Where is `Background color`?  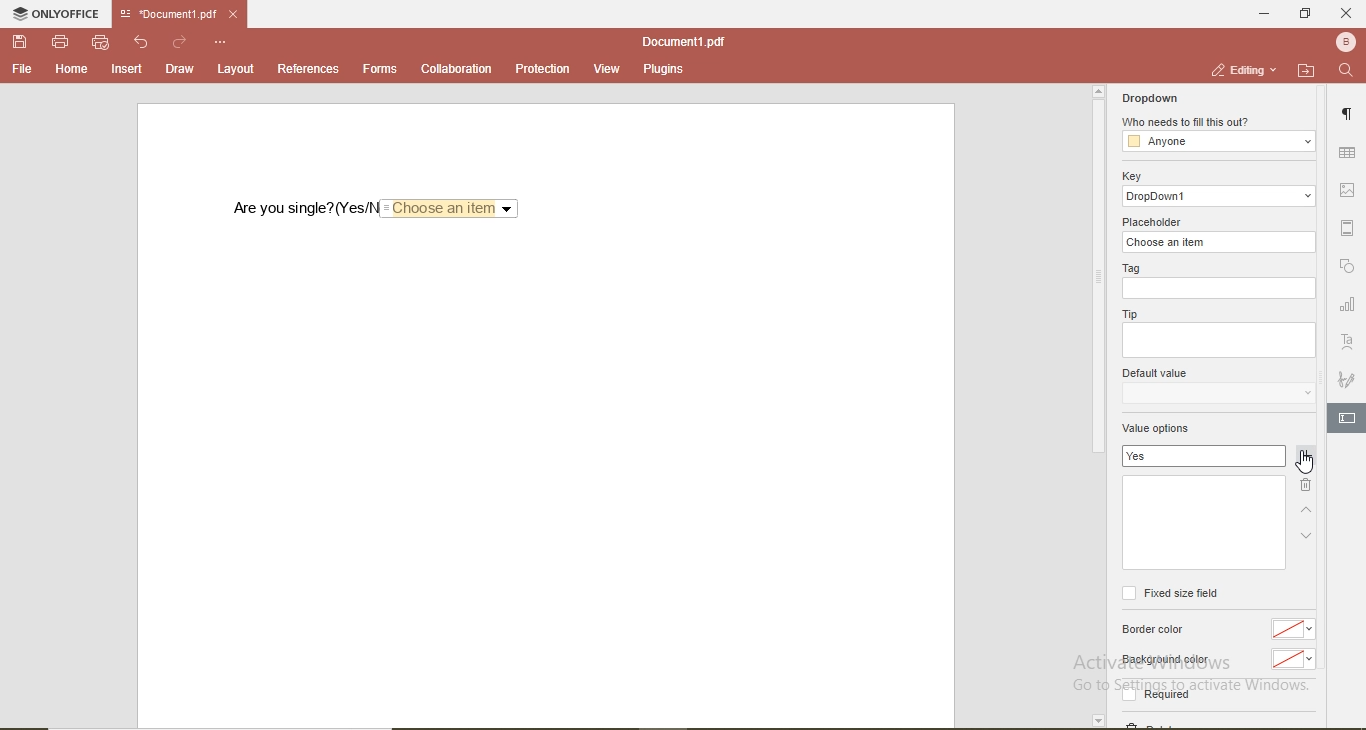 Background color is located at coordinates (1163, 659).